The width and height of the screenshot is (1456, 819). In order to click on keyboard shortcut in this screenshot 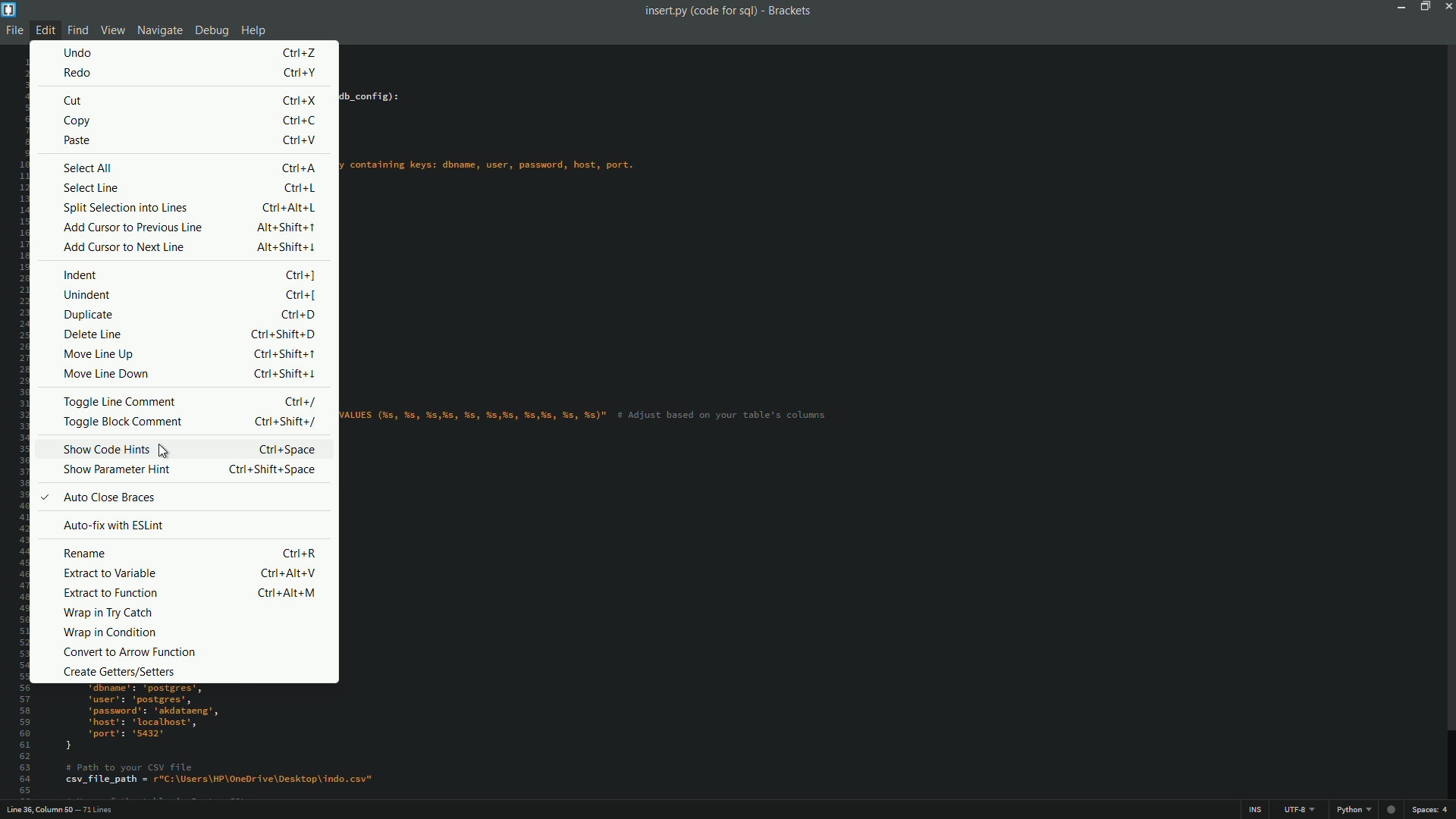, I will do `click(284, 424)`.